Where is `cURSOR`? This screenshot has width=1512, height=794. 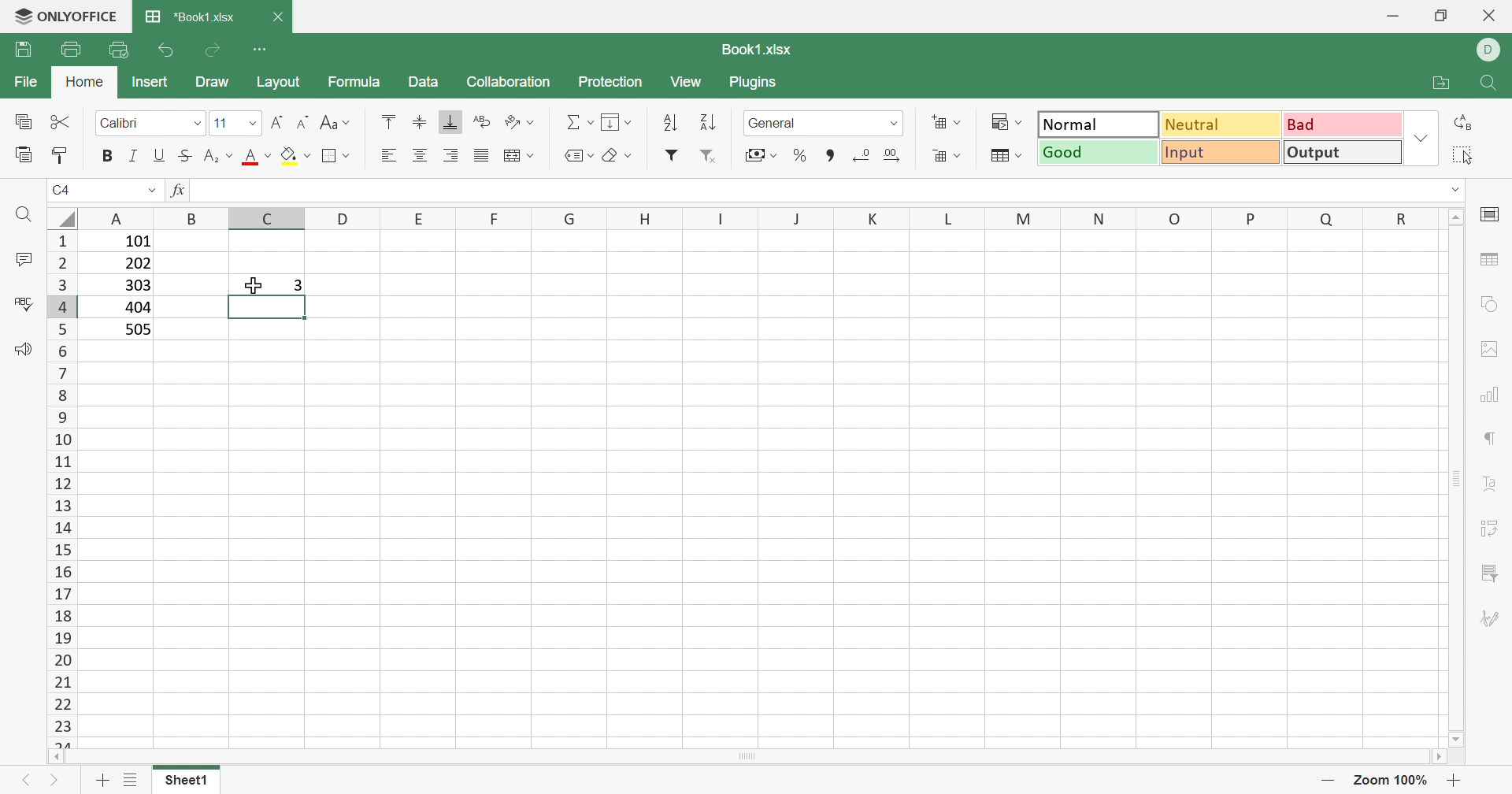 cURSOR is located at coordinates (252, 287).